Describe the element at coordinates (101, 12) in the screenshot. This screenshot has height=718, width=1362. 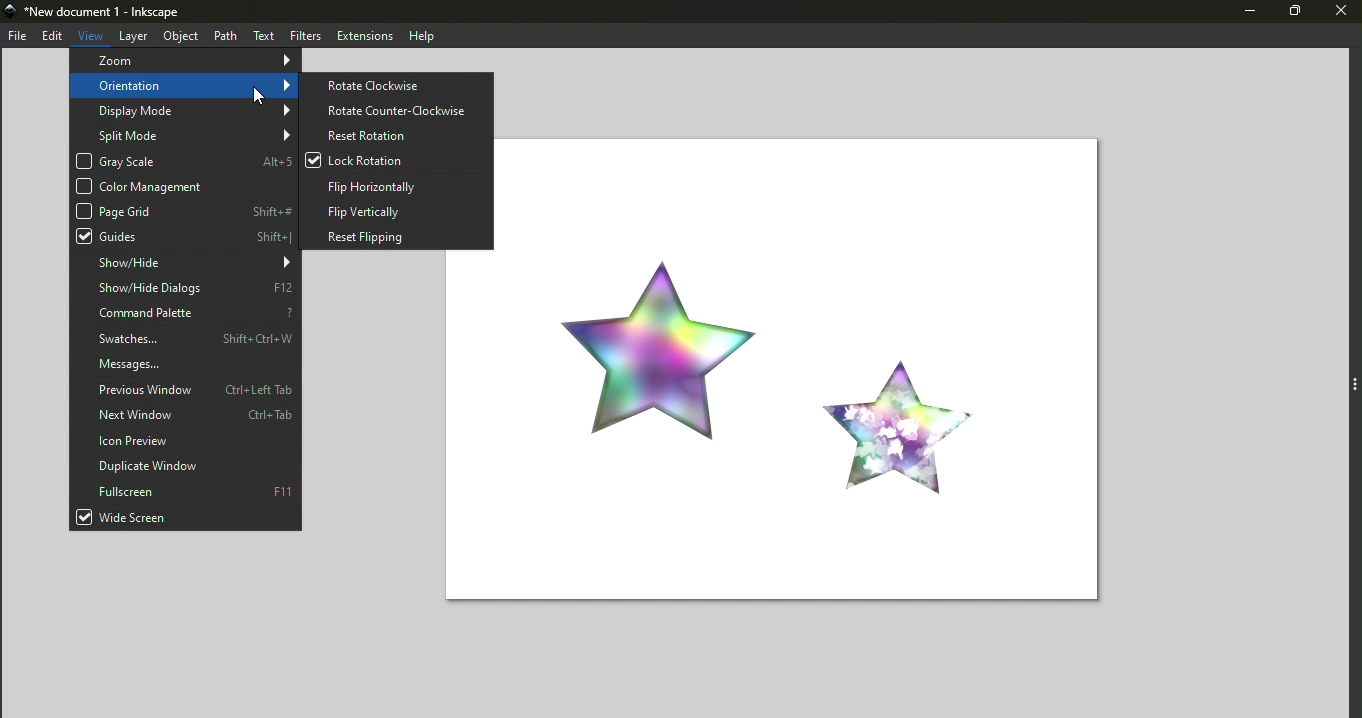
I see `new document 1-inkscape` at that location.